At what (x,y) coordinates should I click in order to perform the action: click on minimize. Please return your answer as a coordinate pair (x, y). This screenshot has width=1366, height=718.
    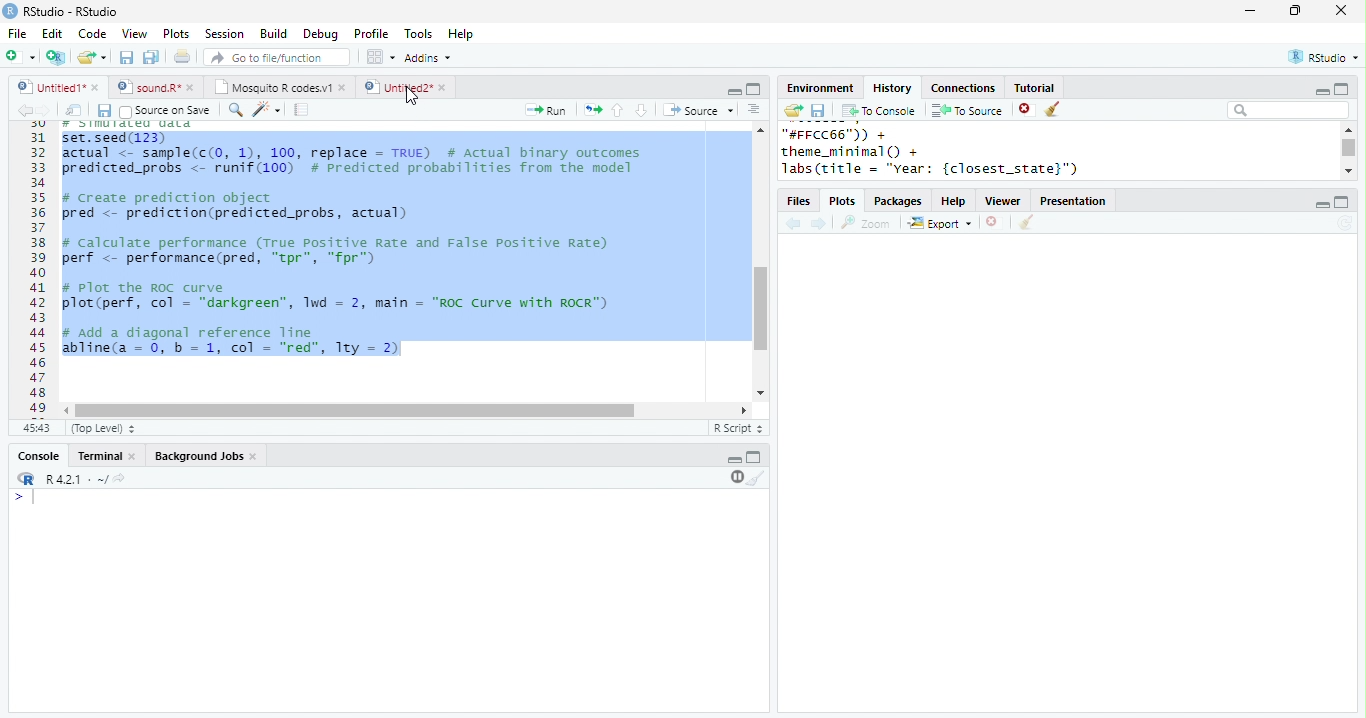
    Looking at the image, I should click on (734, 90).